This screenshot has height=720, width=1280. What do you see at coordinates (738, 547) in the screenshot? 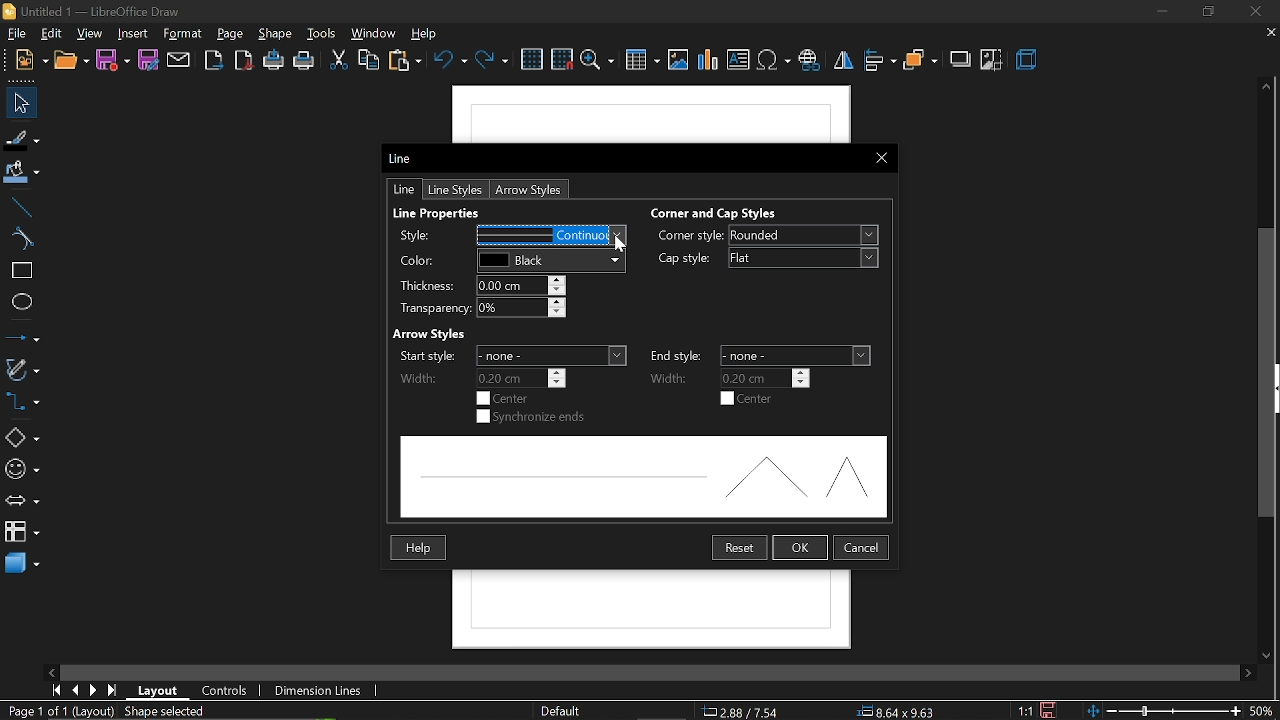
I see `restart` at bounding box center [738, 547].